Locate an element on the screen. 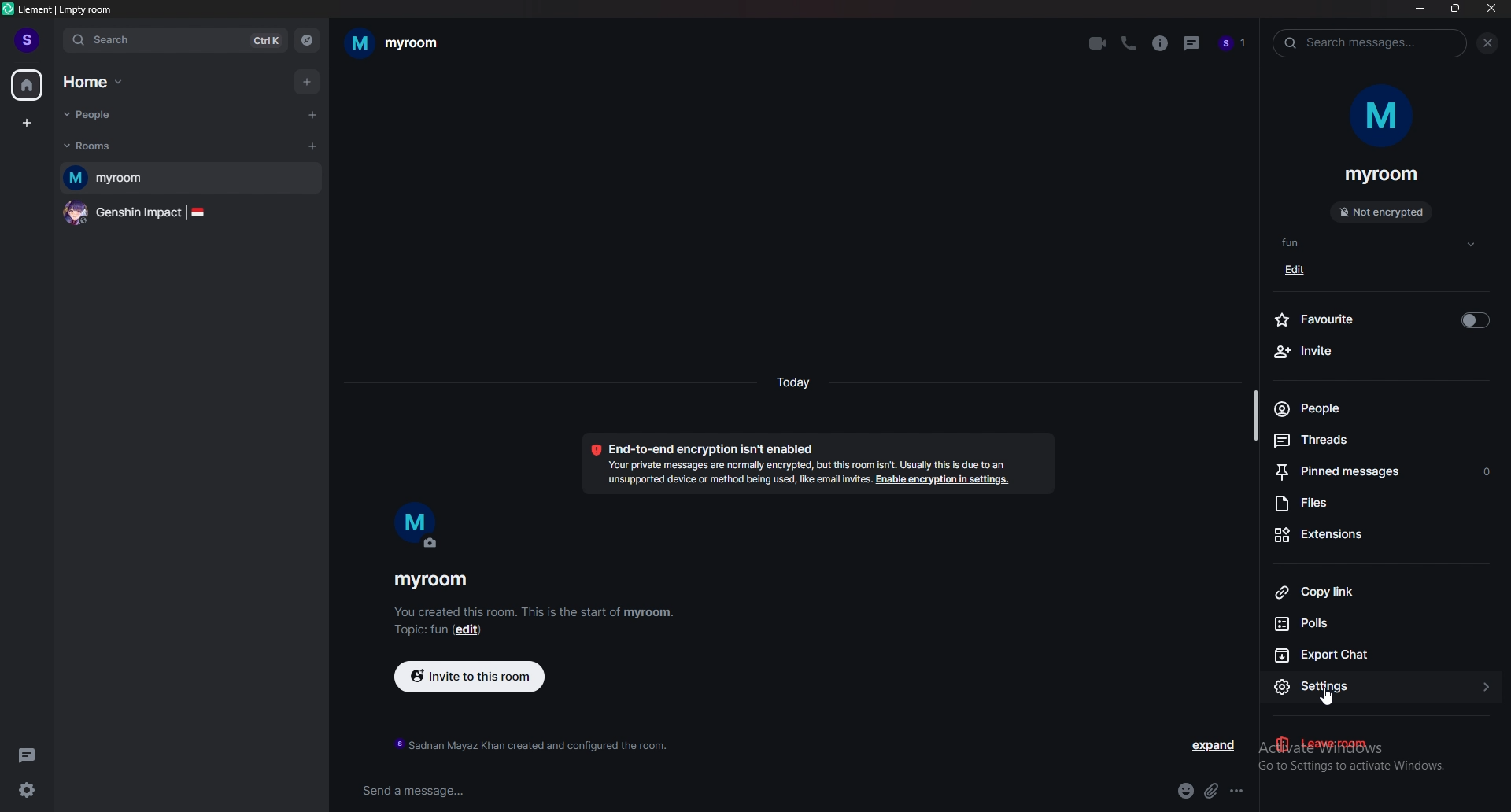  element | empty room is located at coordinates (67, 8).